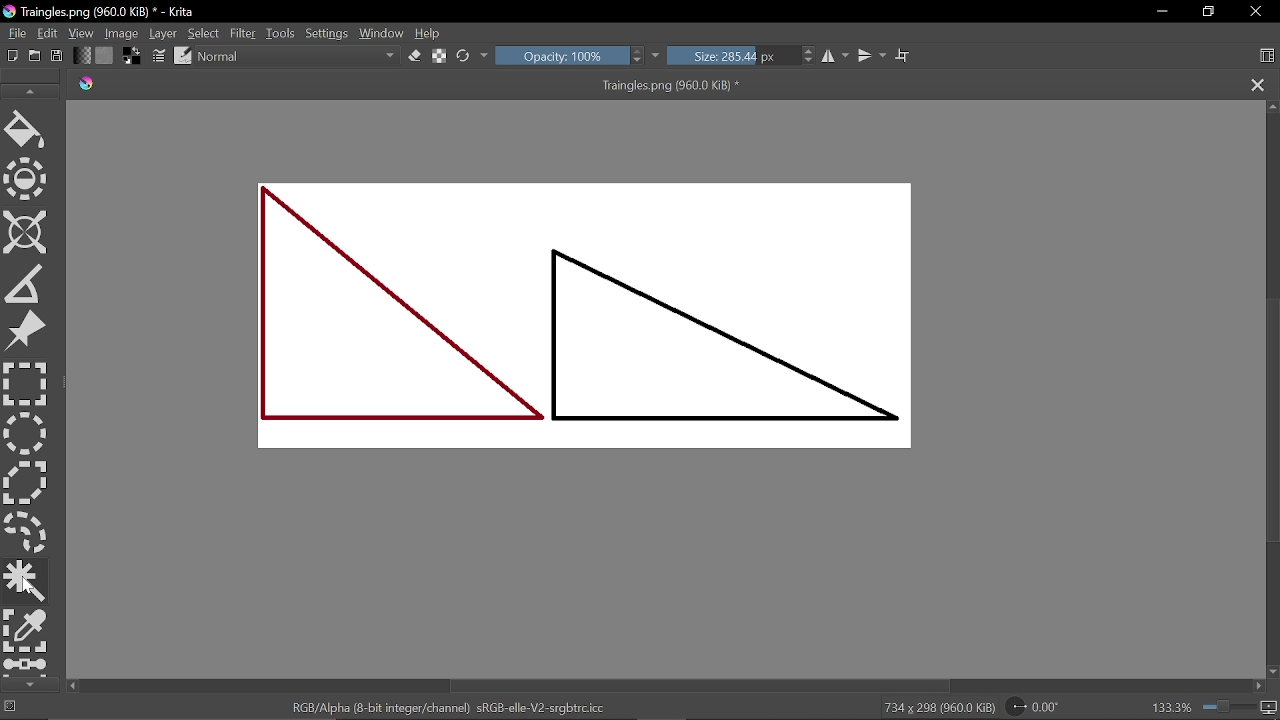 The width and height of the screenshot is (1280, 720). I want to click on Reset orginal preset, so click(464, 55).